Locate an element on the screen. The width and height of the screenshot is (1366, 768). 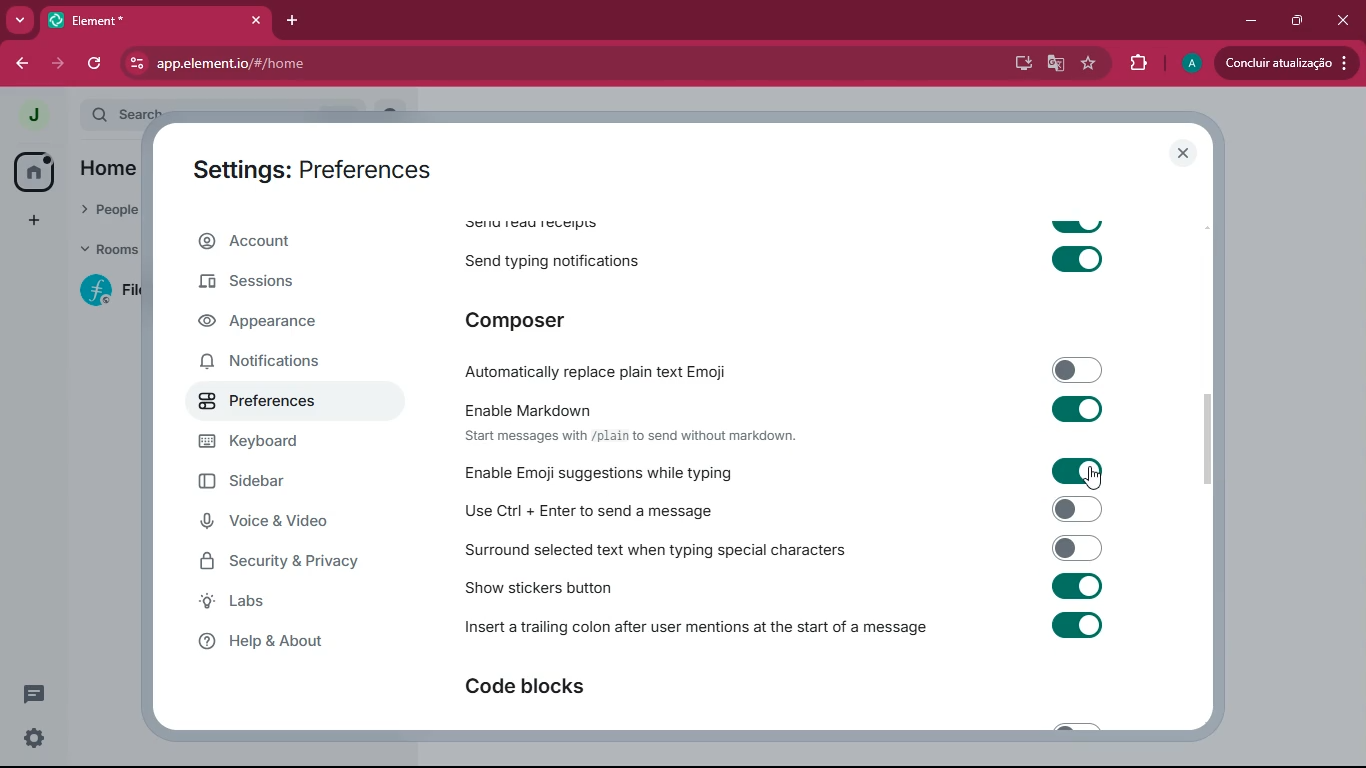
keyboard is located at coordinates (277, 444).